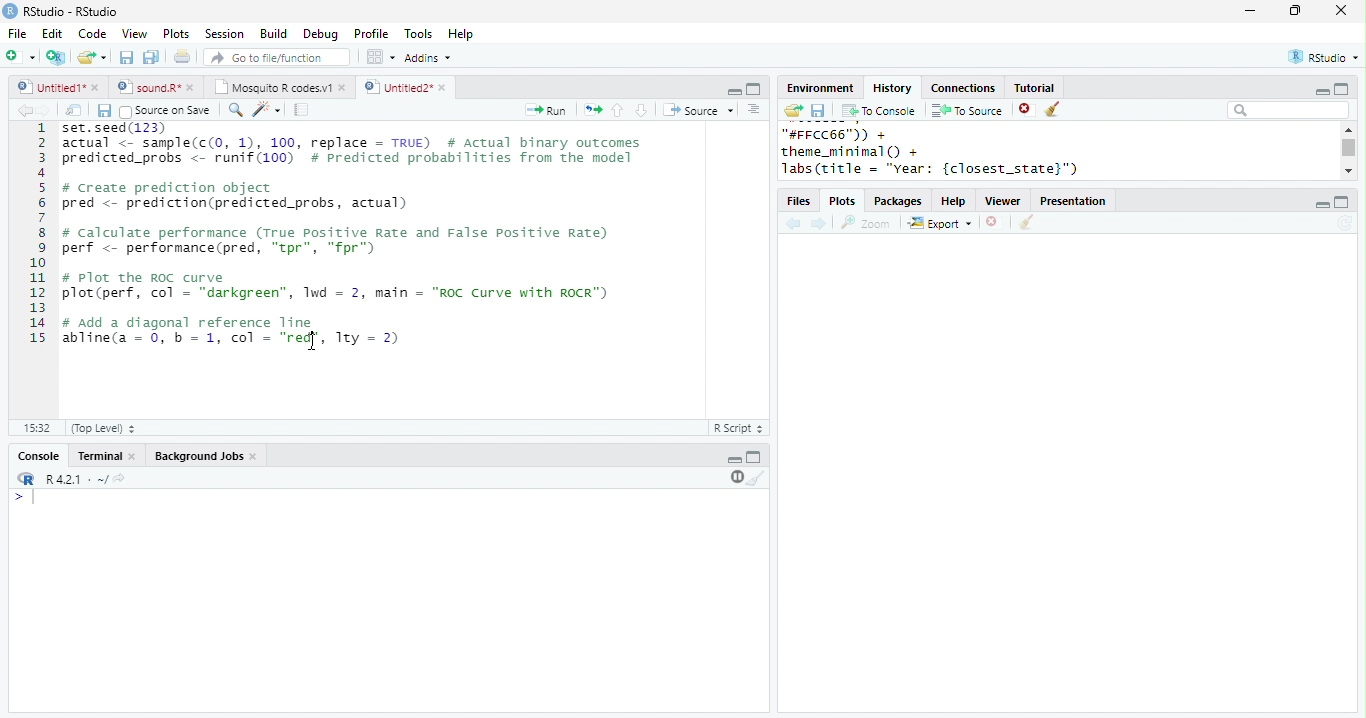 This screenshot has width=1366, height=718. What do you see at coordinates (445, 88) in the screenshot?
I see `close` at bounding box center [445, 88].